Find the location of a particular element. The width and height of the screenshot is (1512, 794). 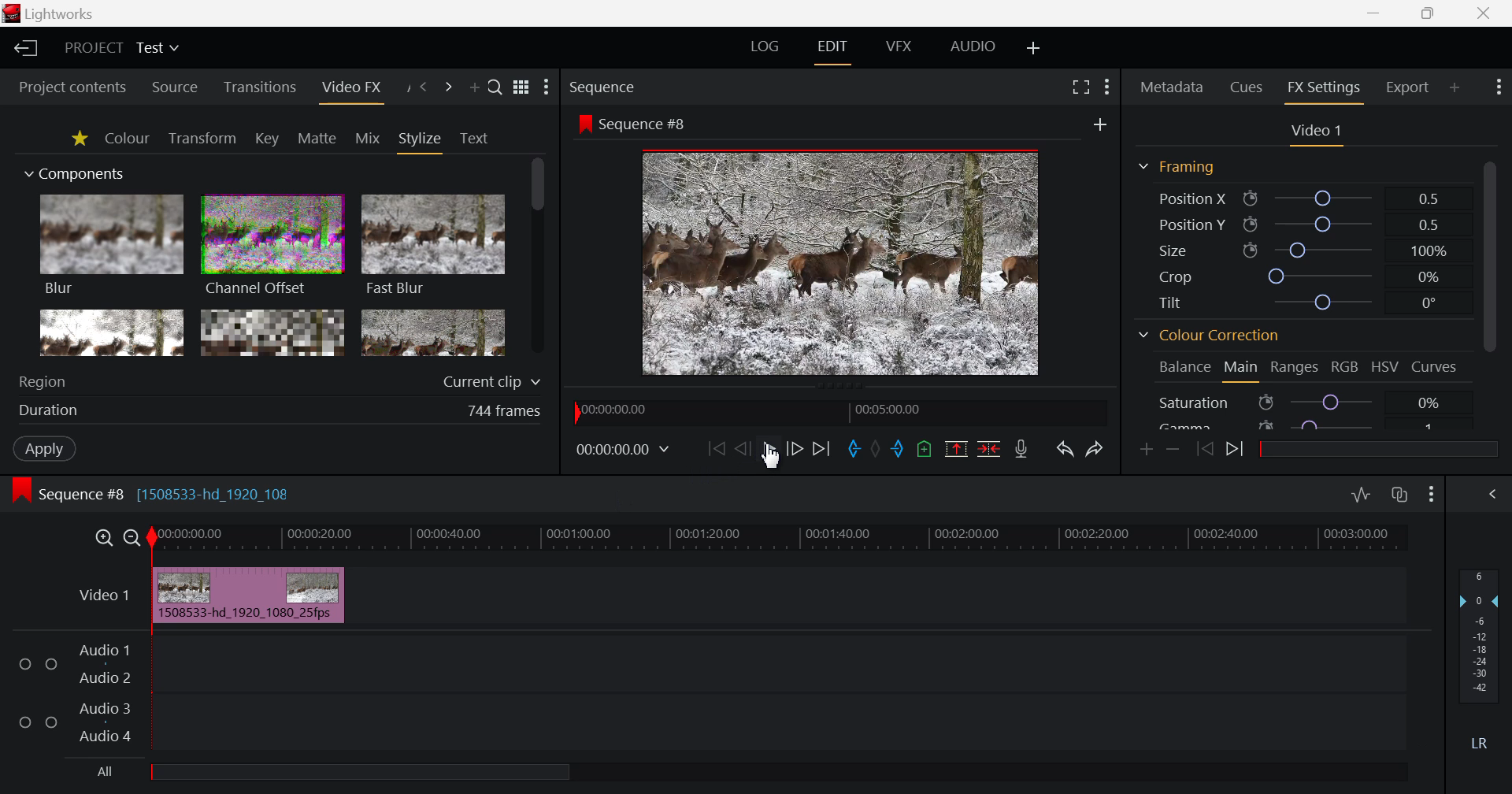

Go Forward is located at coordinates (795, 449).